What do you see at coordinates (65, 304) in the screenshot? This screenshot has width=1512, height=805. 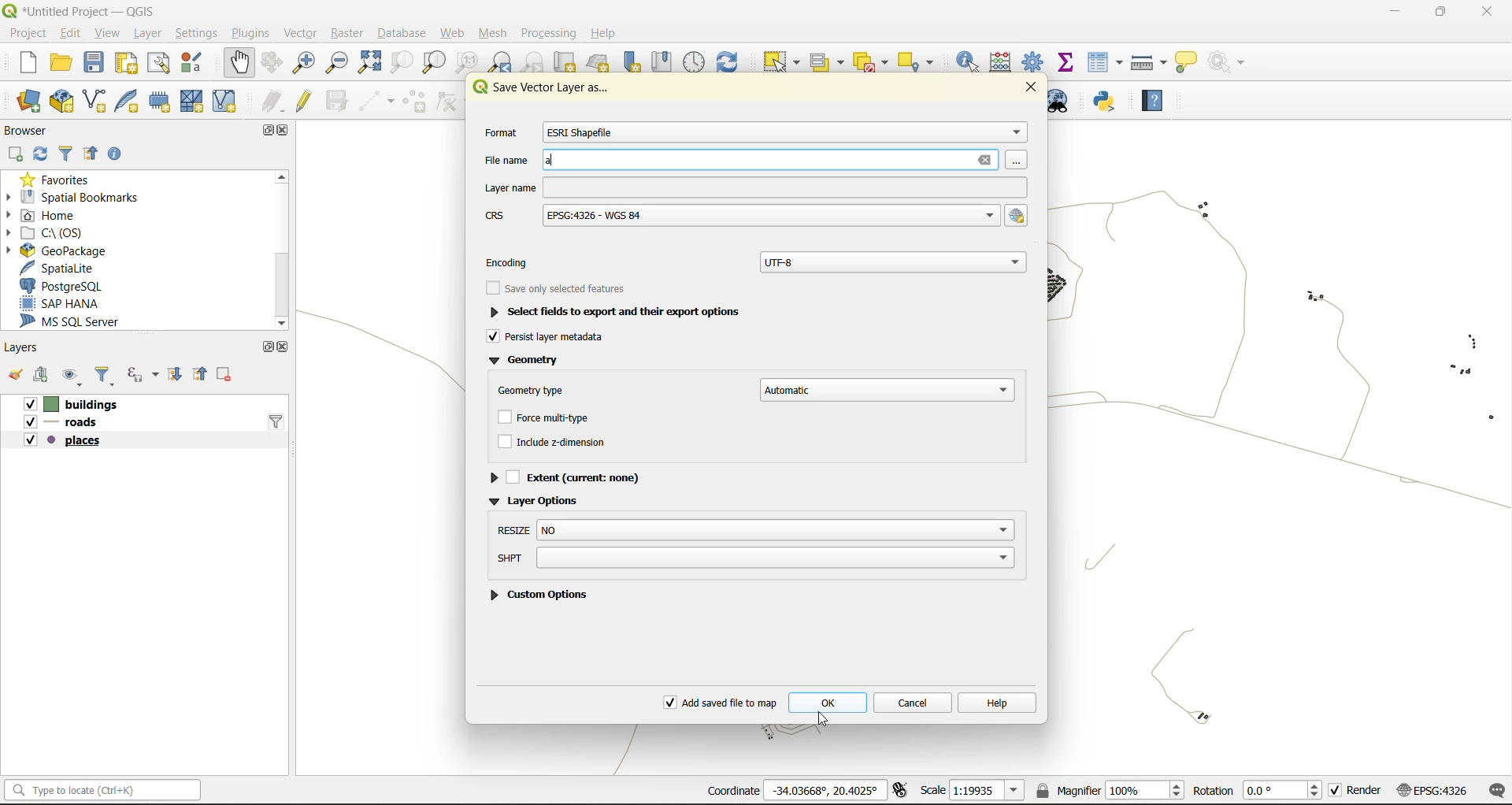 I see `sap hana` at bounding box center [65, 304].